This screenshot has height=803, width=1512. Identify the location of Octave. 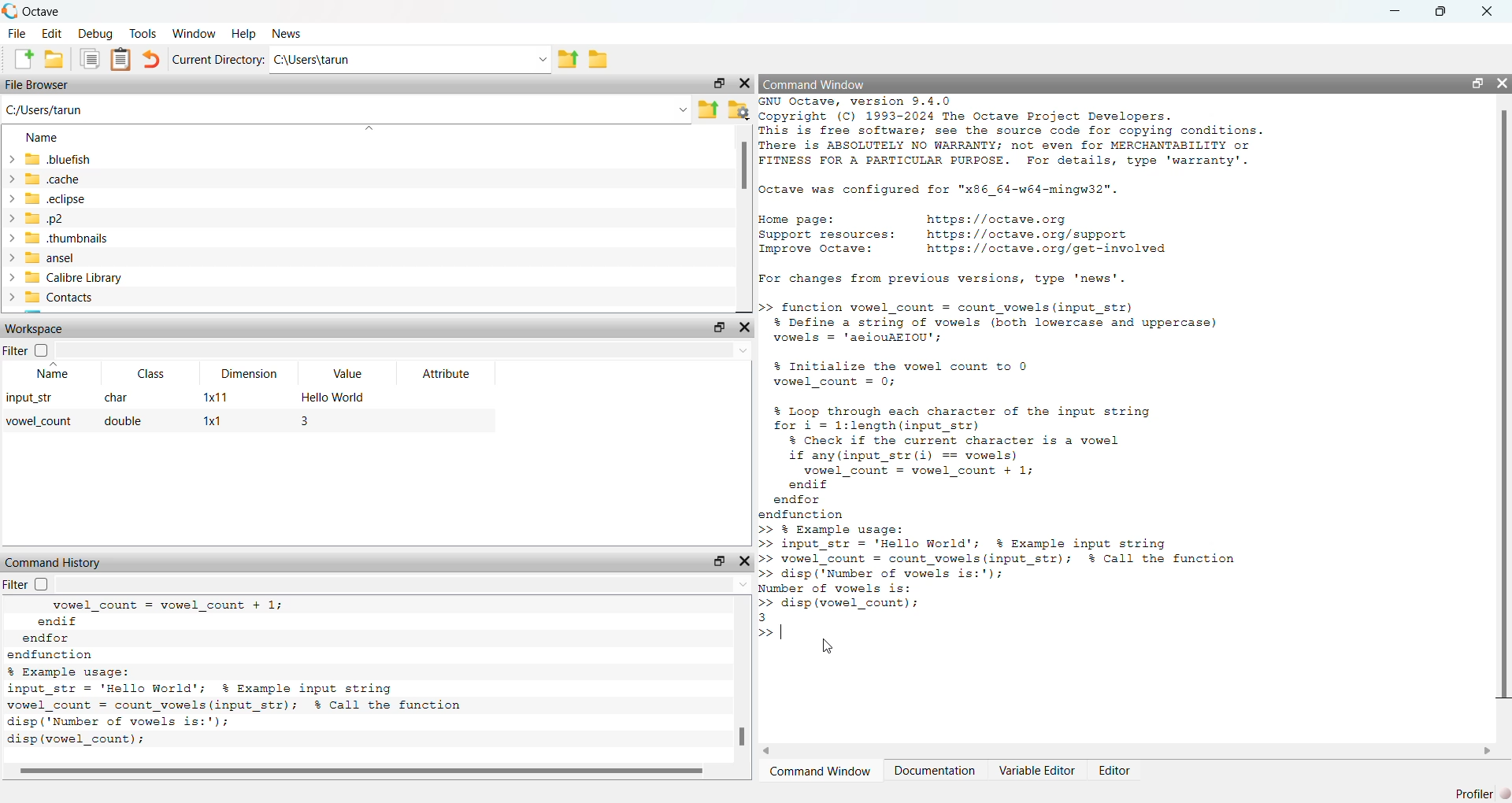
(42, 12).